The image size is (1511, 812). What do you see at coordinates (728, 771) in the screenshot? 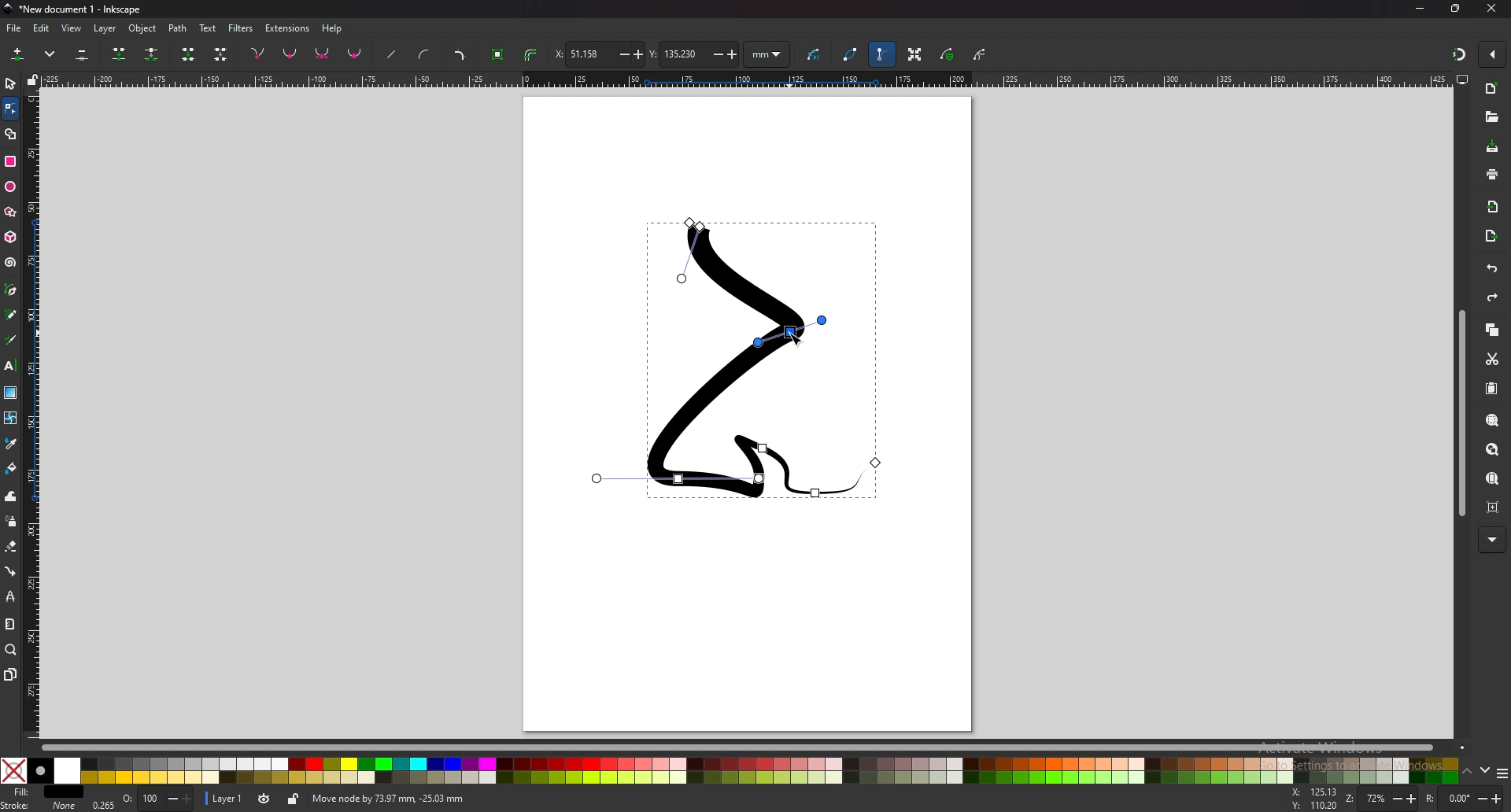
I see `colors` at bounding box center [728, 771].